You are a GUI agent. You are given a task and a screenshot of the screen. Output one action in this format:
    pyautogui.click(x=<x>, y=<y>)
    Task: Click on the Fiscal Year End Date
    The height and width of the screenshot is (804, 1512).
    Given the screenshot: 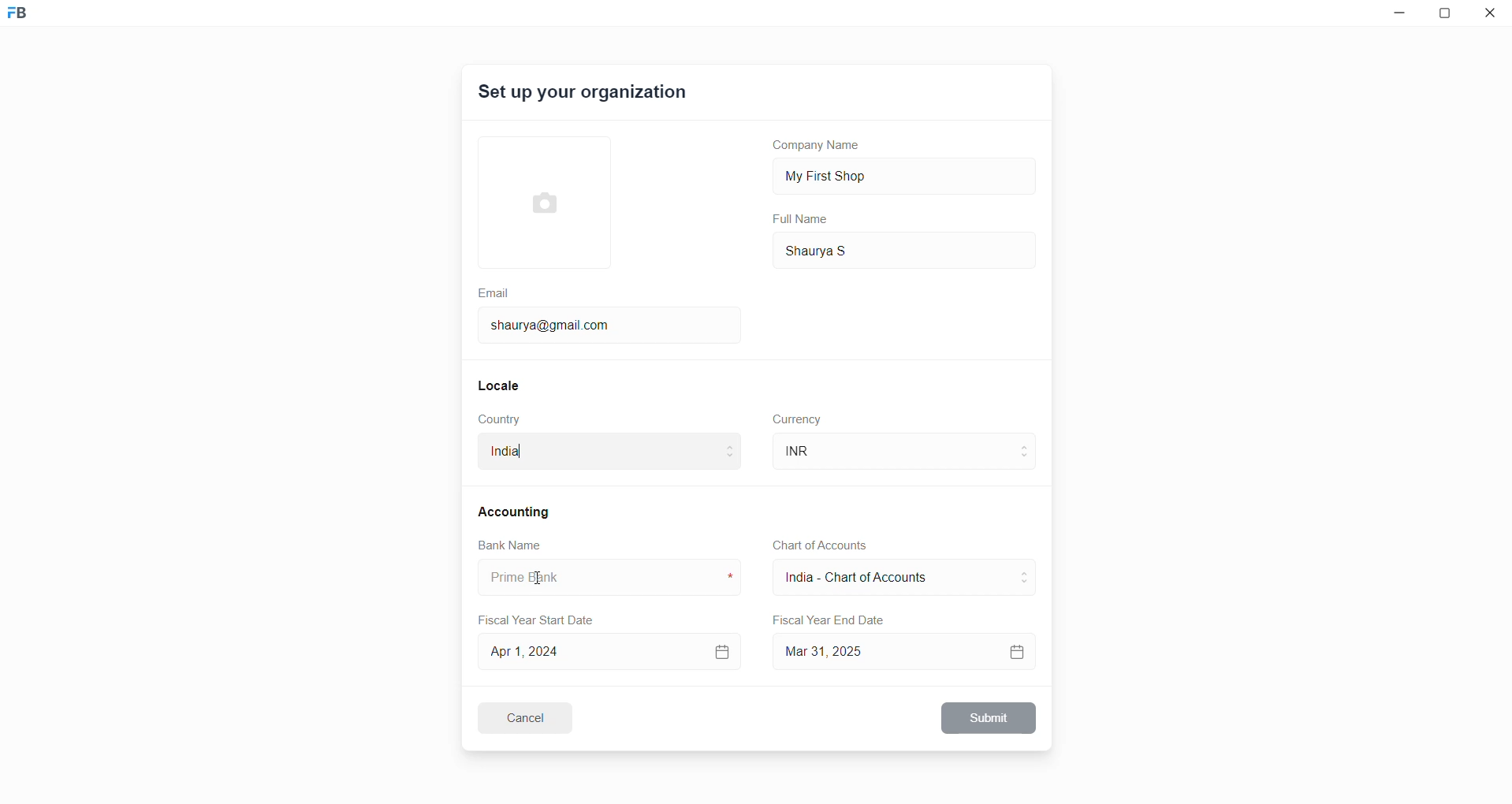 What is the action you would take?
    pyautogui.click(x=830, y=620)
    